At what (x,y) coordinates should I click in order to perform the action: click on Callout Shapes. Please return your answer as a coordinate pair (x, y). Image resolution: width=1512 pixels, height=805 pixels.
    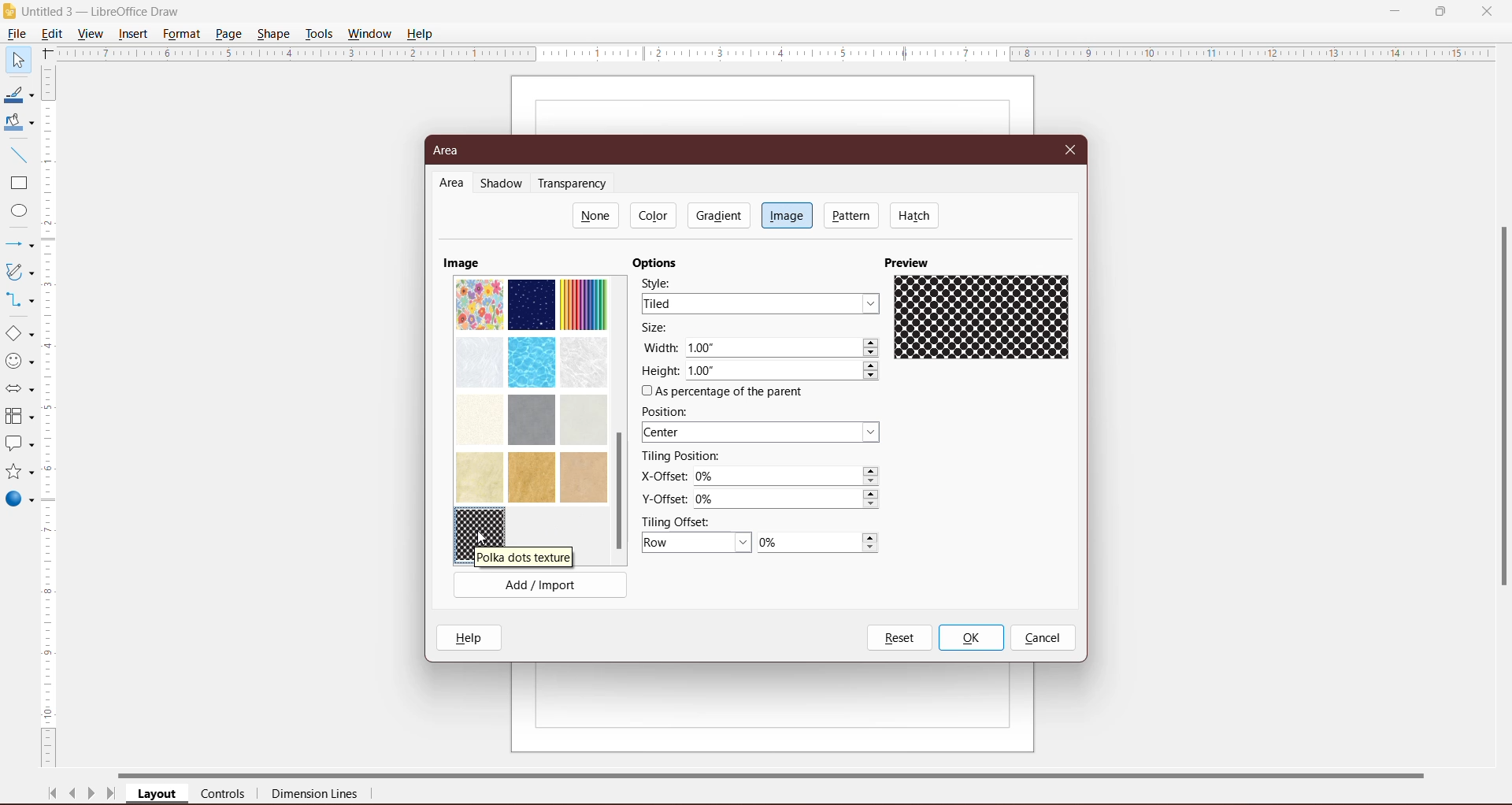
    Looking at the image, I should click on (18, 445).